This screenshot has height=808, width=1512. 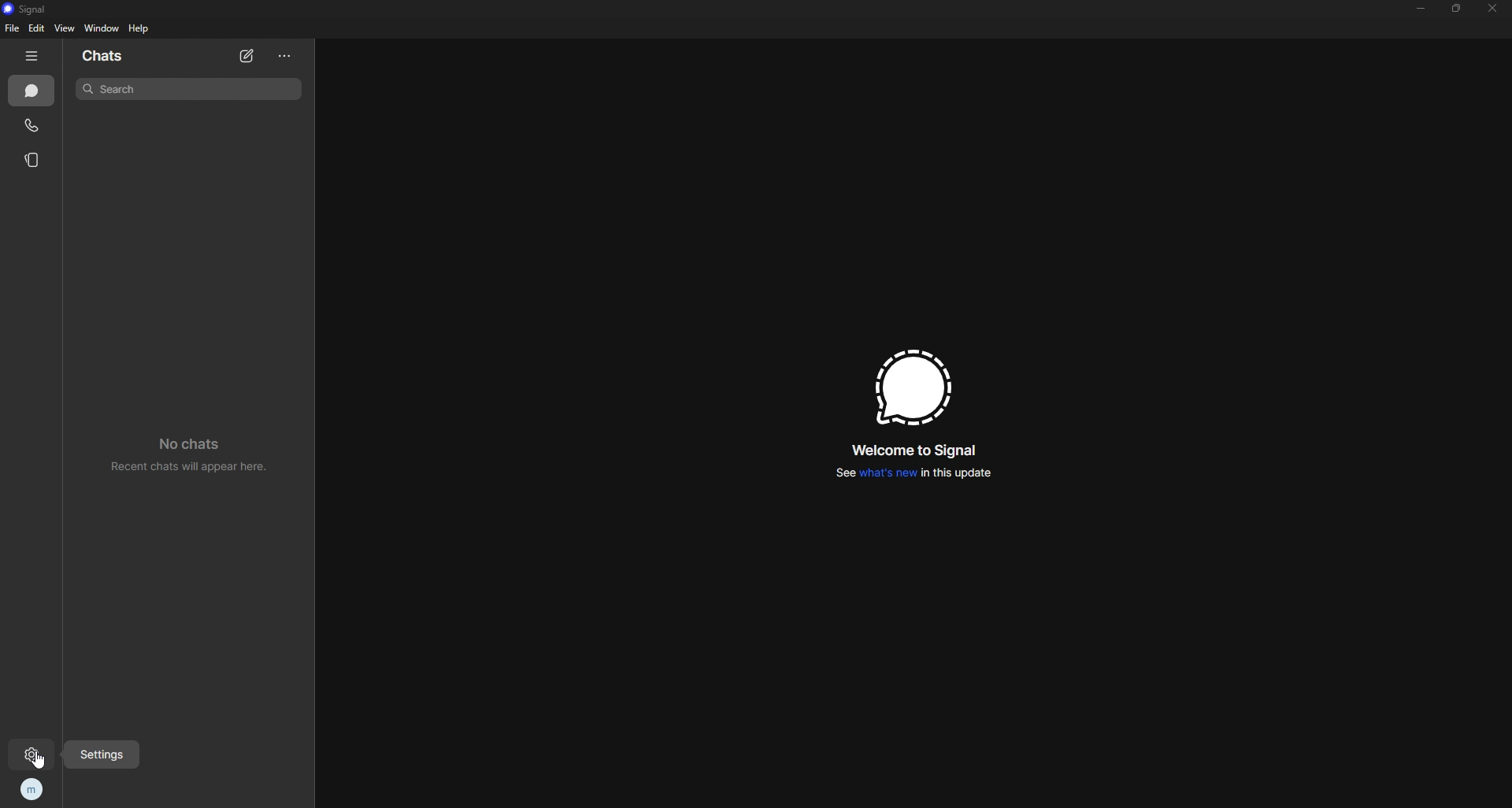 I want to click on hide tab, so click(x=33, y=56).